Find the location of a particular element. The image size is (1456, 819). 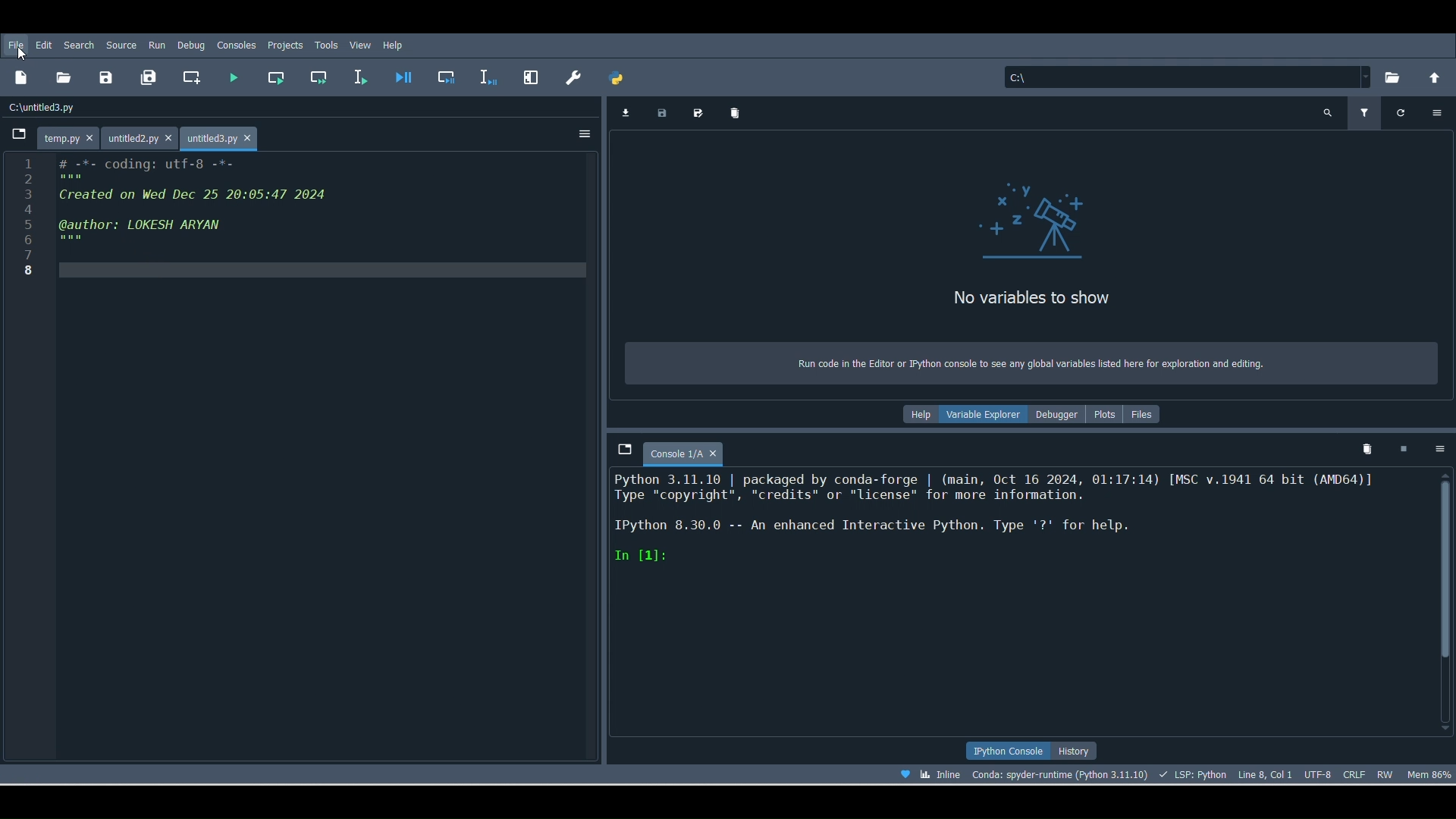

Code block is located at coordinates (306, 458).